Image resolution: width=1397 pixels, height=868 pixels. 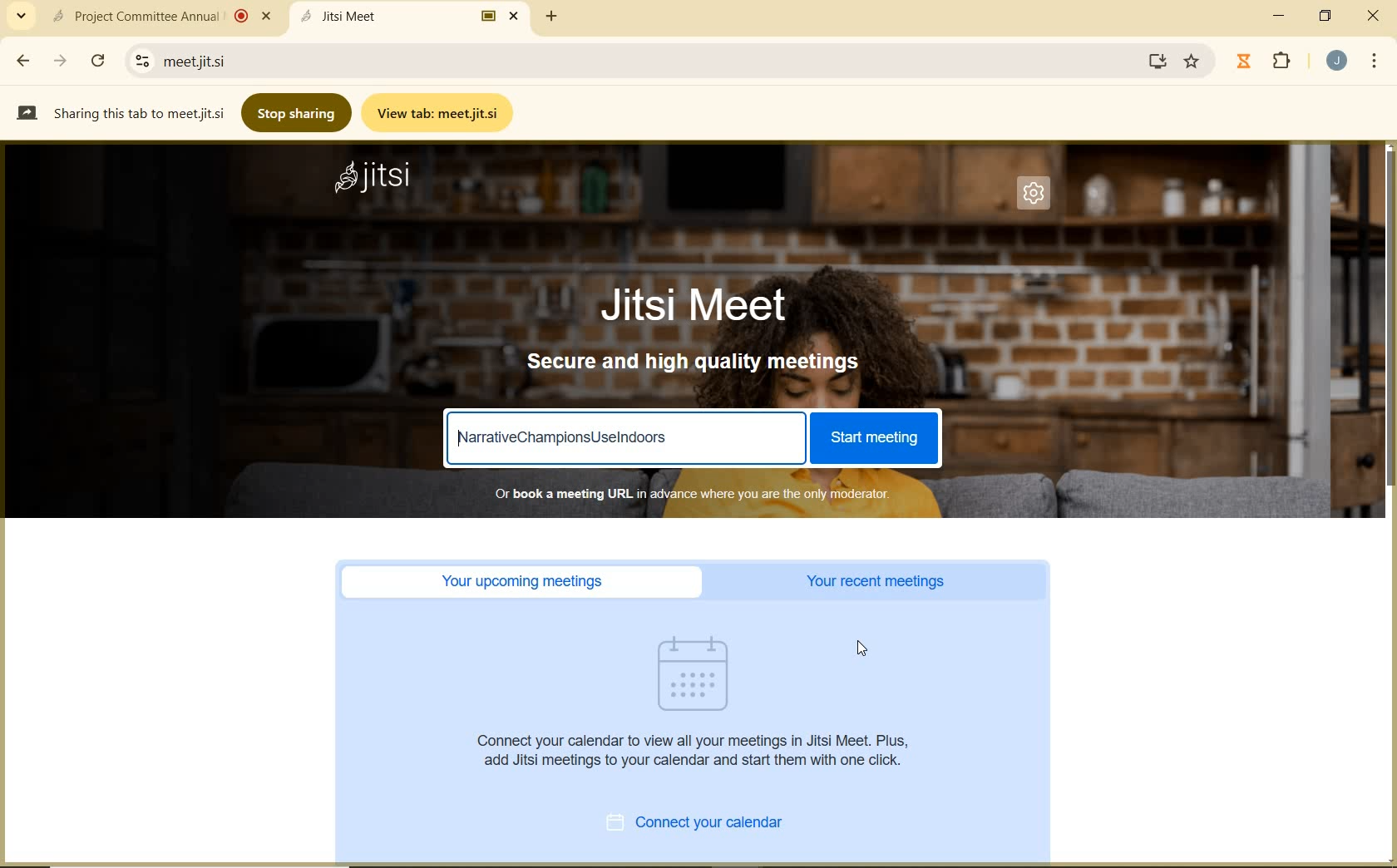 What do you see at coordinates (690, 493) in the screenshot?
I see `Or book a meeting URL in advance where you are the only moderator.` at bounding box center [690, 493].